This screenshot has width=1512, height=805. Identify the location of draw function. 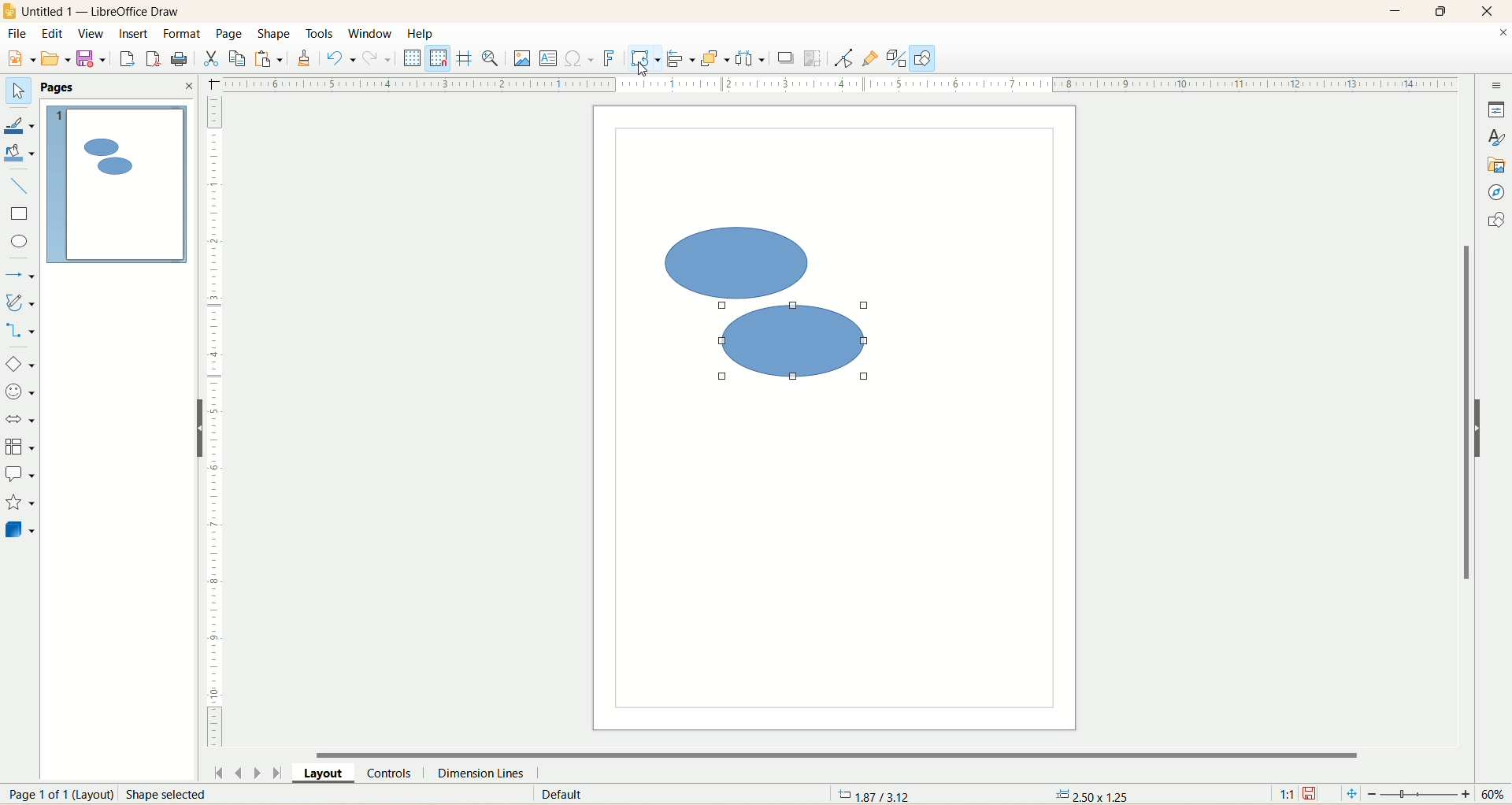
(925, 59).